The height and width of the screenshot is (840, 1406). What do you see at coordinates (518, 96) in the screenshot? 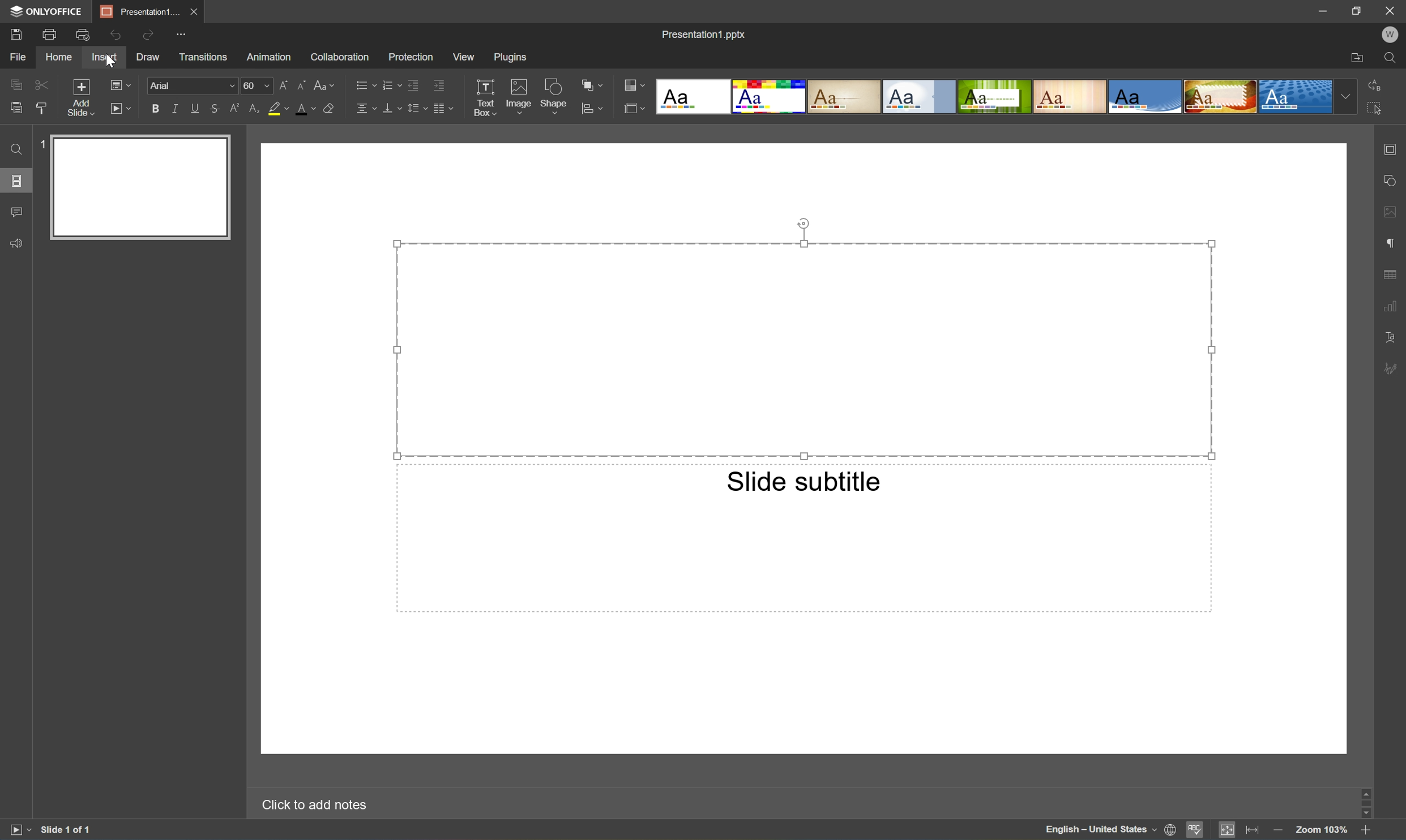
I see `Image` at bounding box center [518, 96].